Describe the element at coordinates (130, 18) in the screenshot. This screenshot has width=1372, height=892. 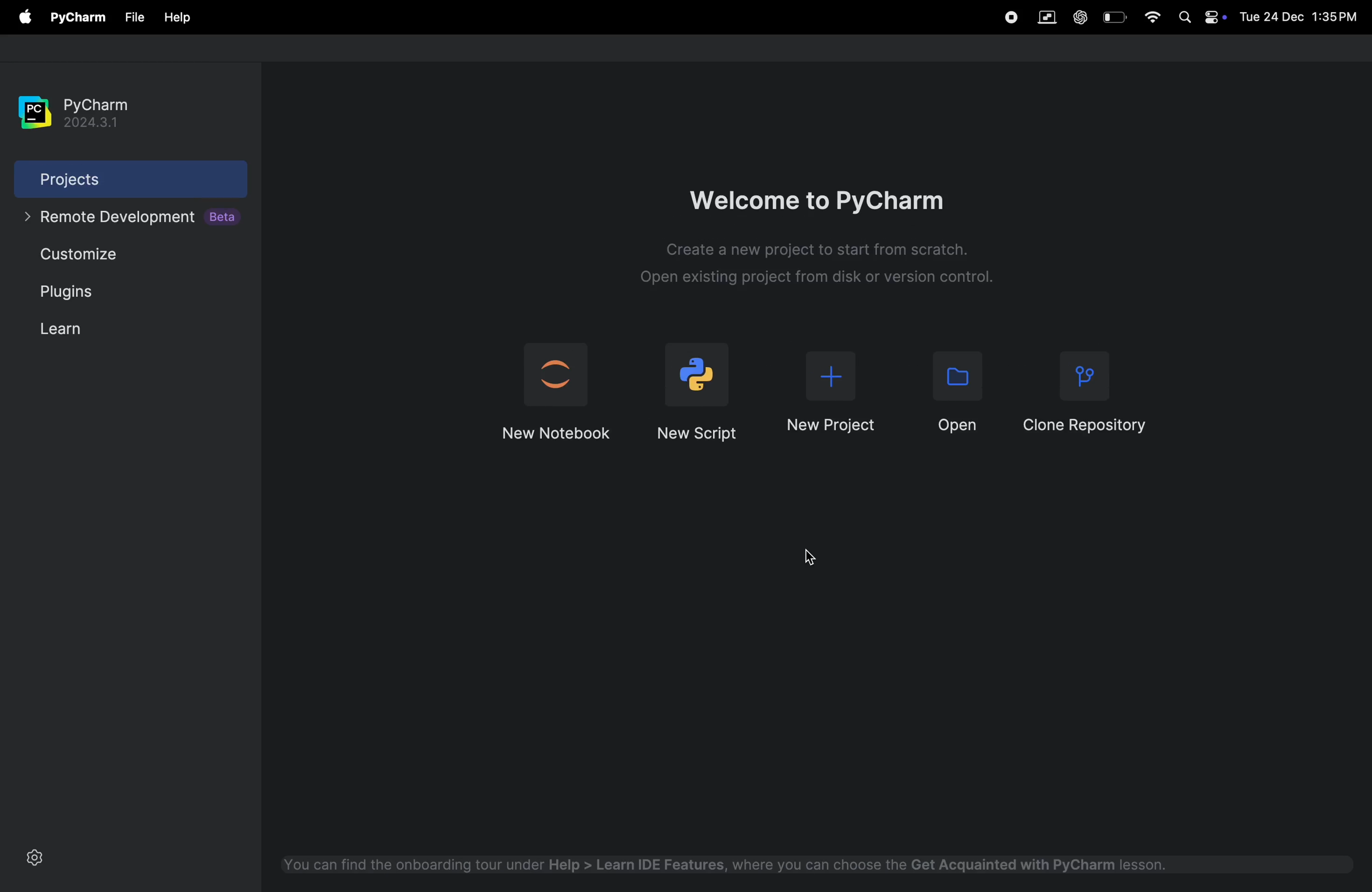
I see `file` at that location.